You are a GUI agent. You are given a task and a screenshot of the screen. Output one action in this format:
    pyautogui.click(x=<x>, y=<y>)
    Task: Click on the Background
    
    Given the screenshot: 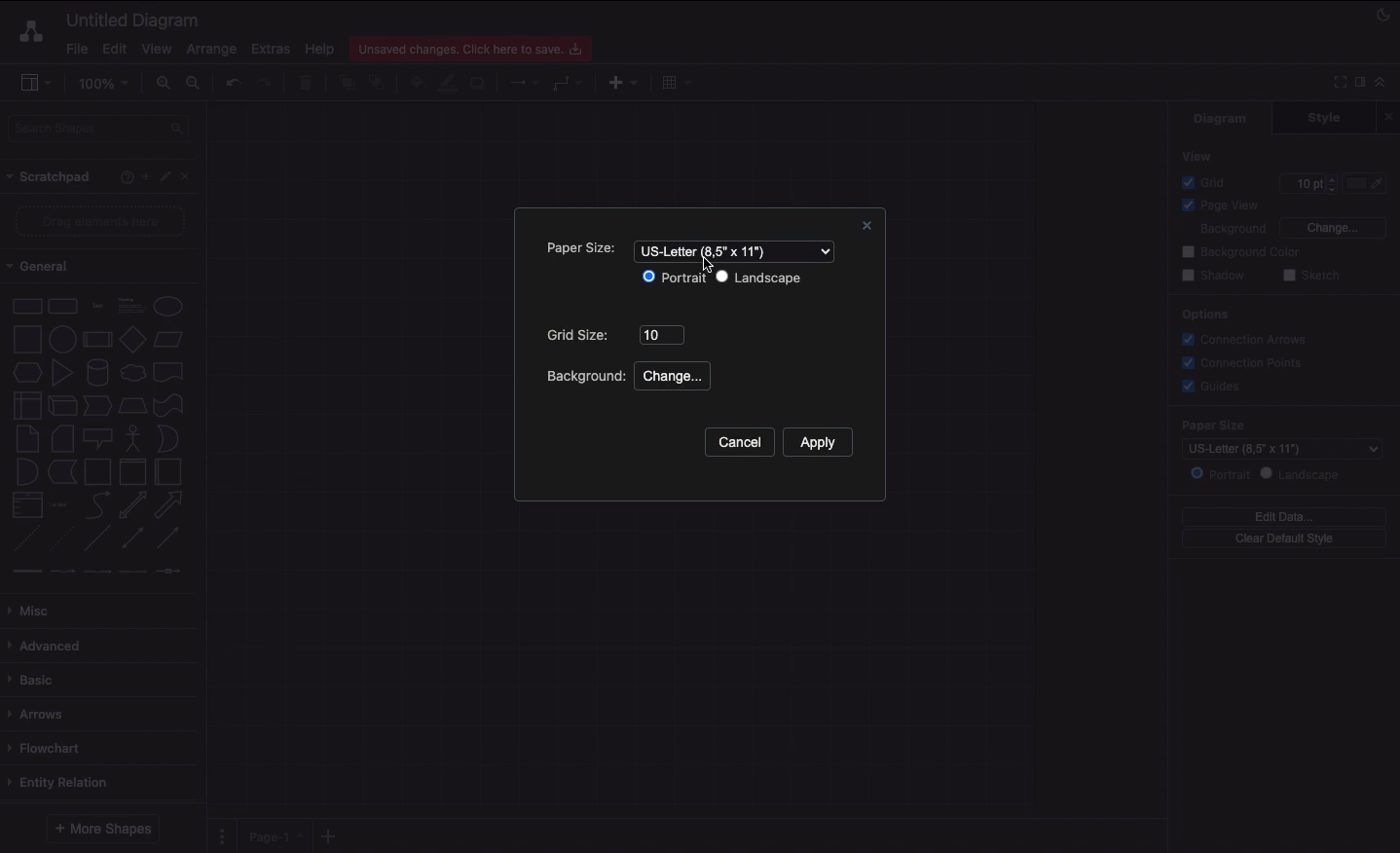 What is the action you would take?
    pyautogui.click(x=583, y=375)
    